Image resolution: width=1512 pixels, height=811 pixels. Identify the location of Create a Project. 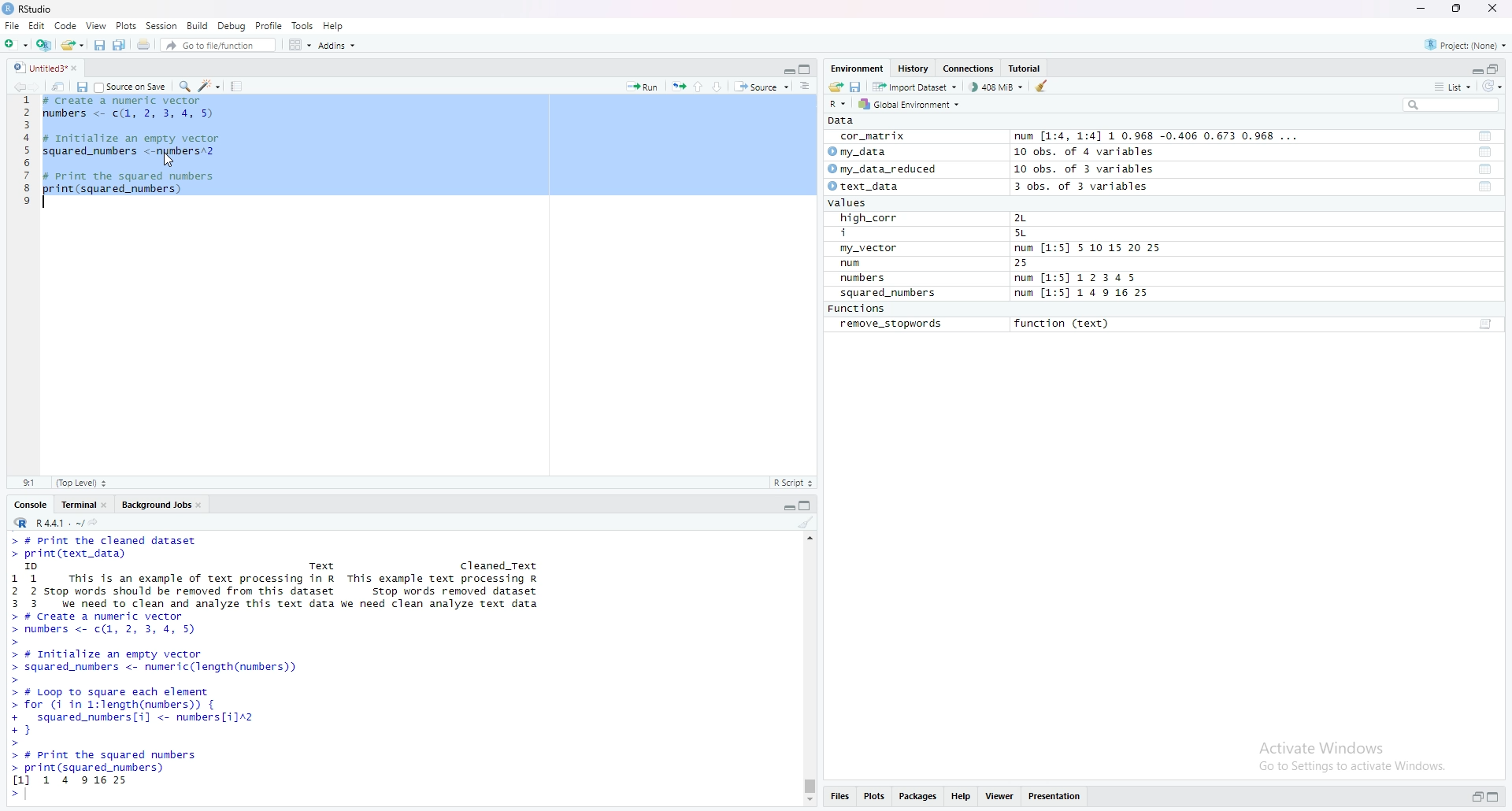
(43, 43).